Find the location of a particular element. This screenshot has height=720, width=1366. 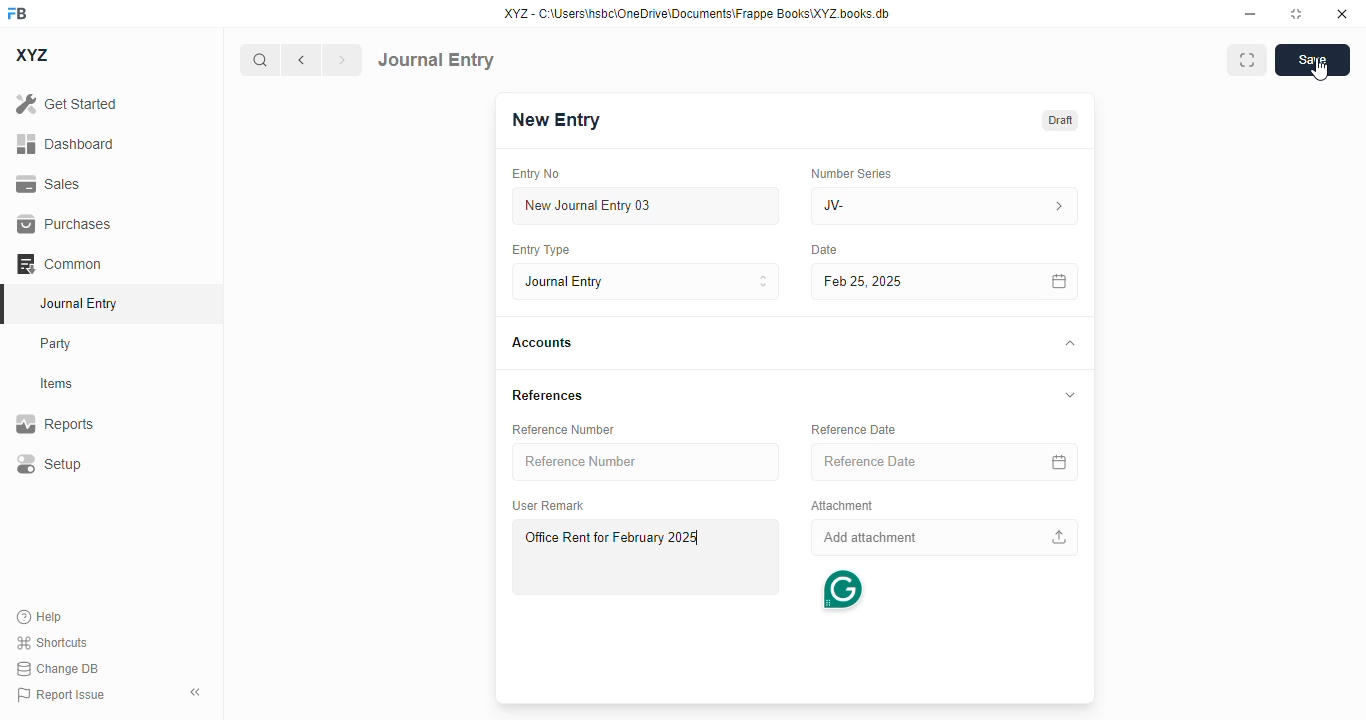

reference date is located at coordinates (902, 462).